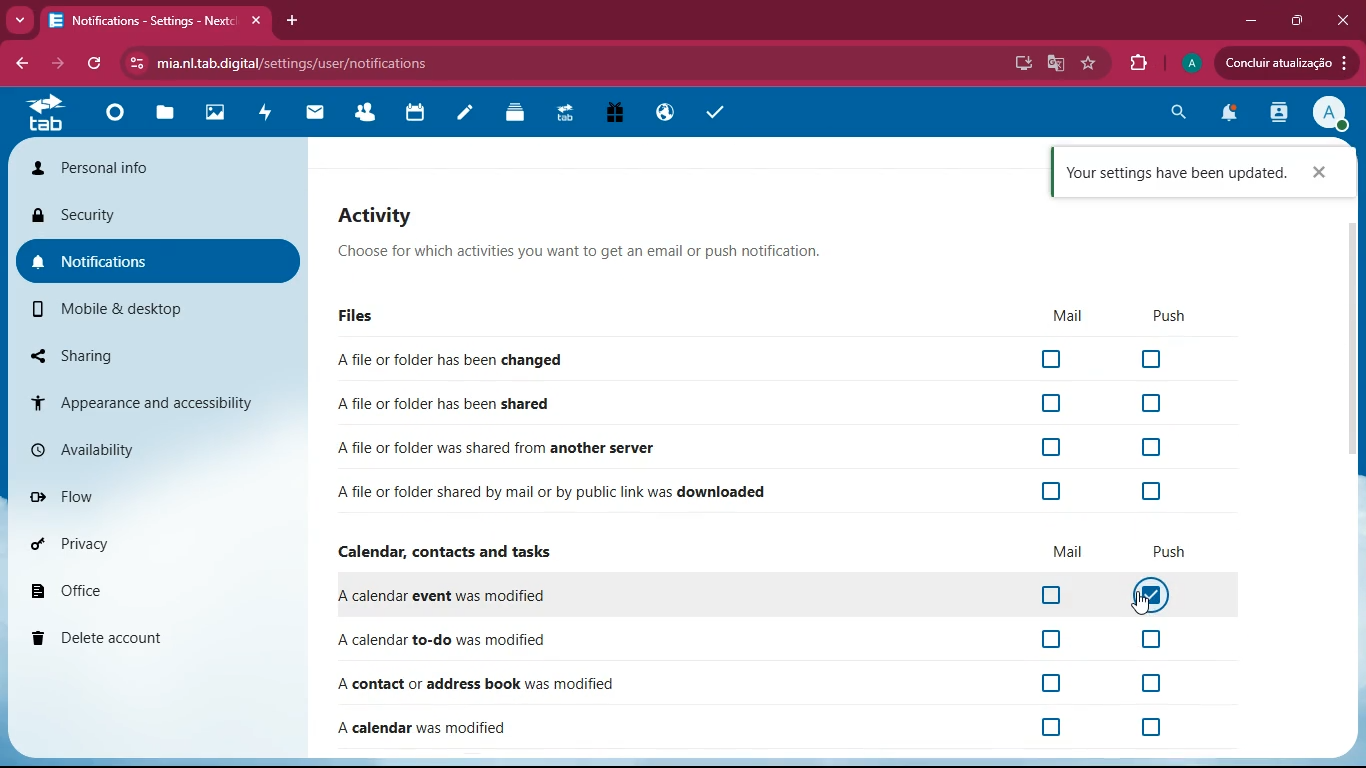  Describe the element at coordinates (18, 21) in the screenshot. I see `more` at that location.